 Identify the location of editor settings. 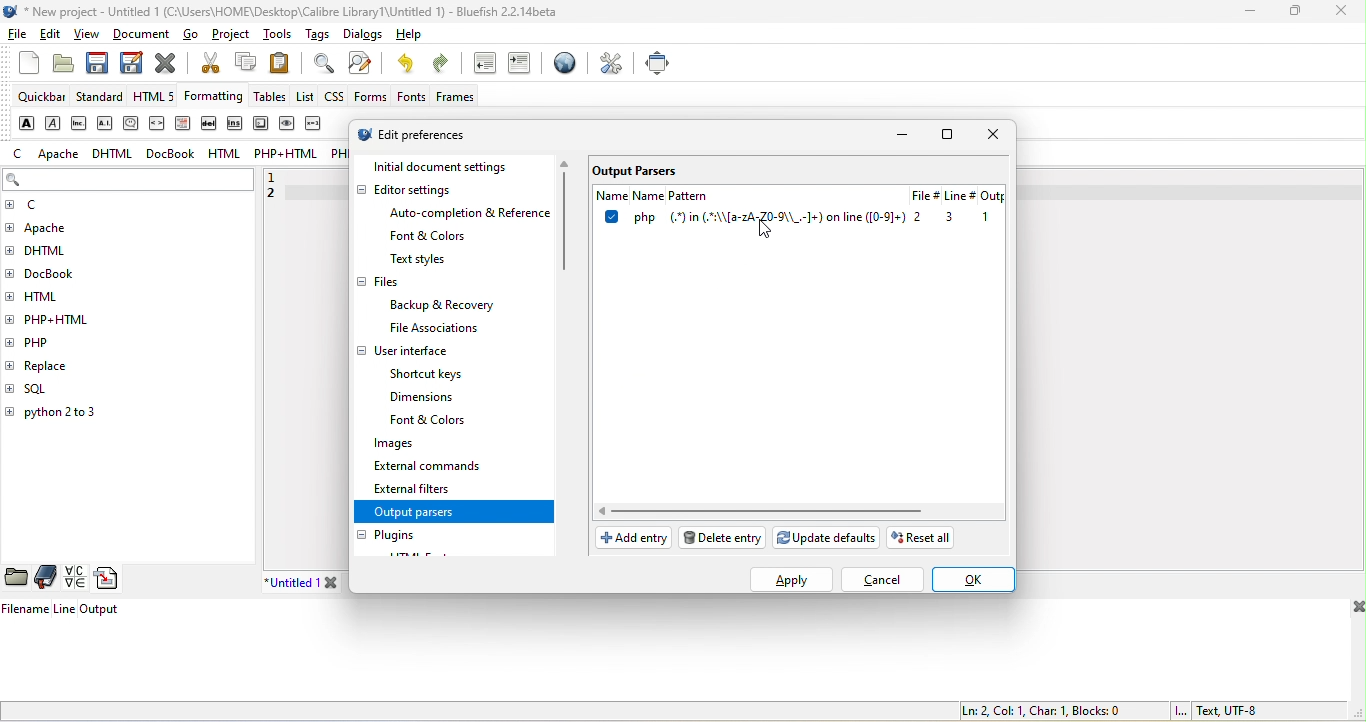
(424, 190).